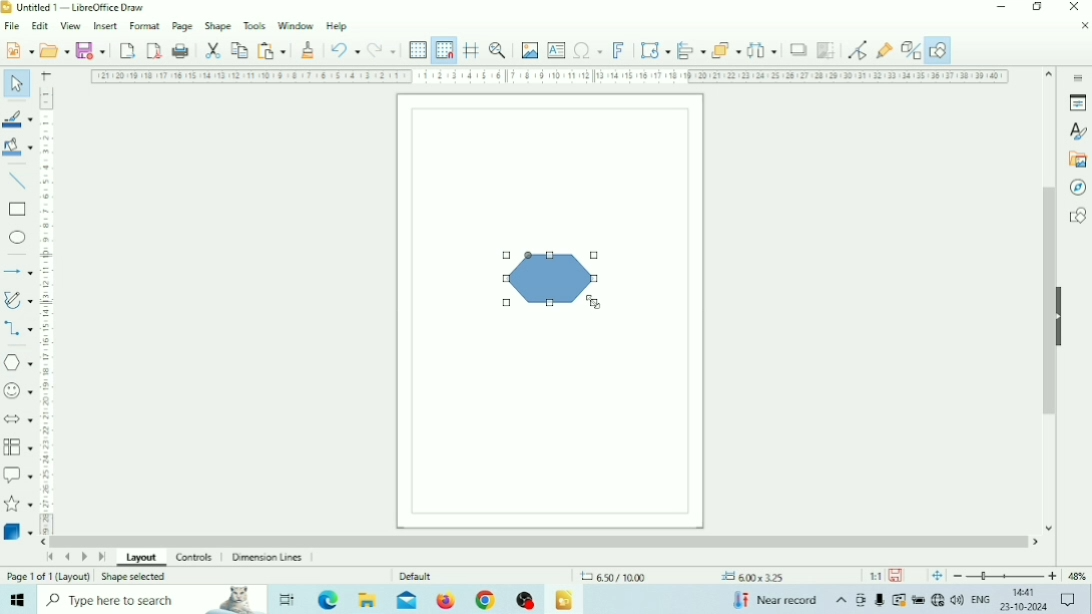  I want to click on Fit page to current window, so click(937, 576).